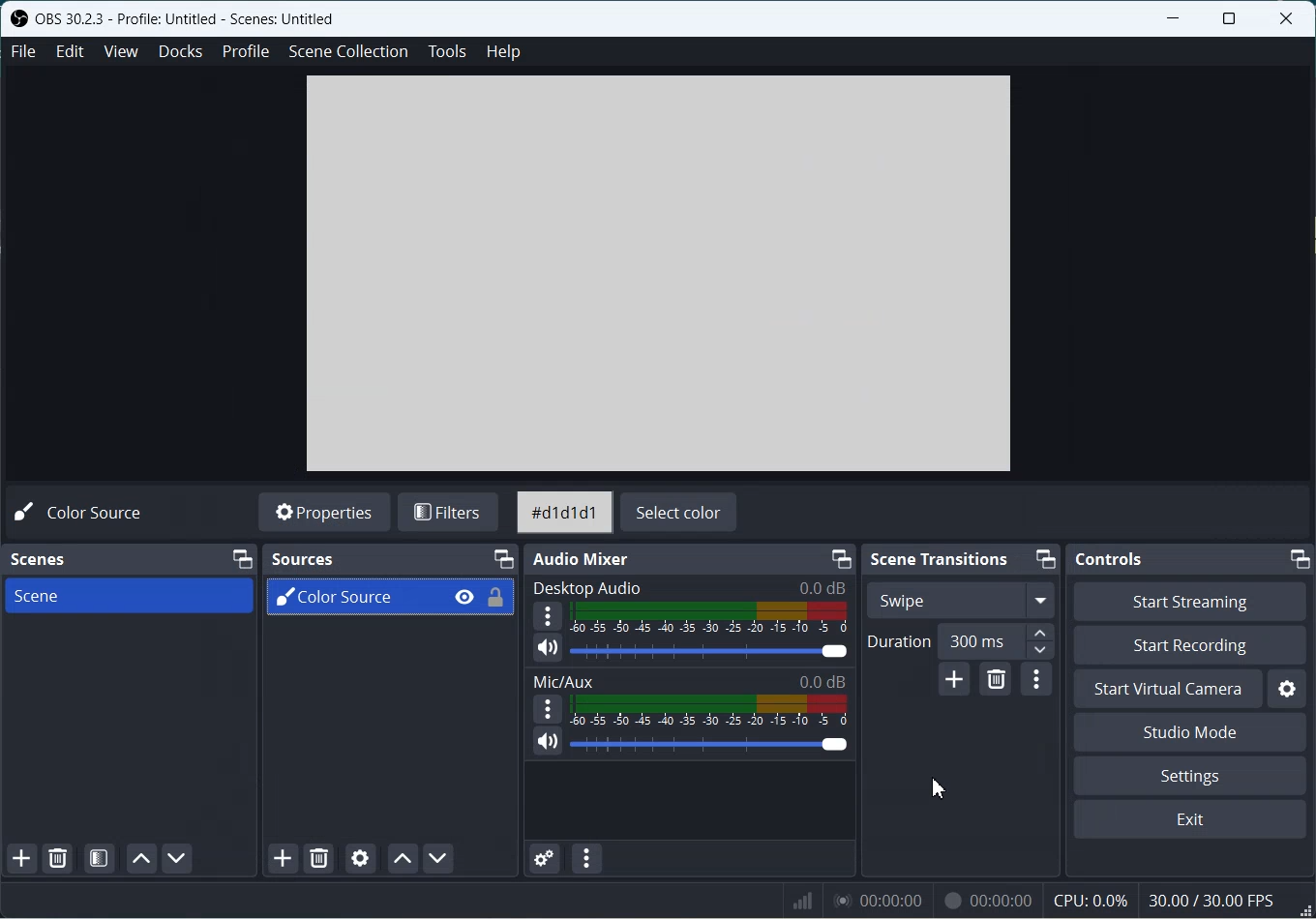 The width and height of the screenshot is (1316, 919). Describe the element at coordinates (1089, 900) in the screenshot. I see `CPU: 0.0%` at that location.